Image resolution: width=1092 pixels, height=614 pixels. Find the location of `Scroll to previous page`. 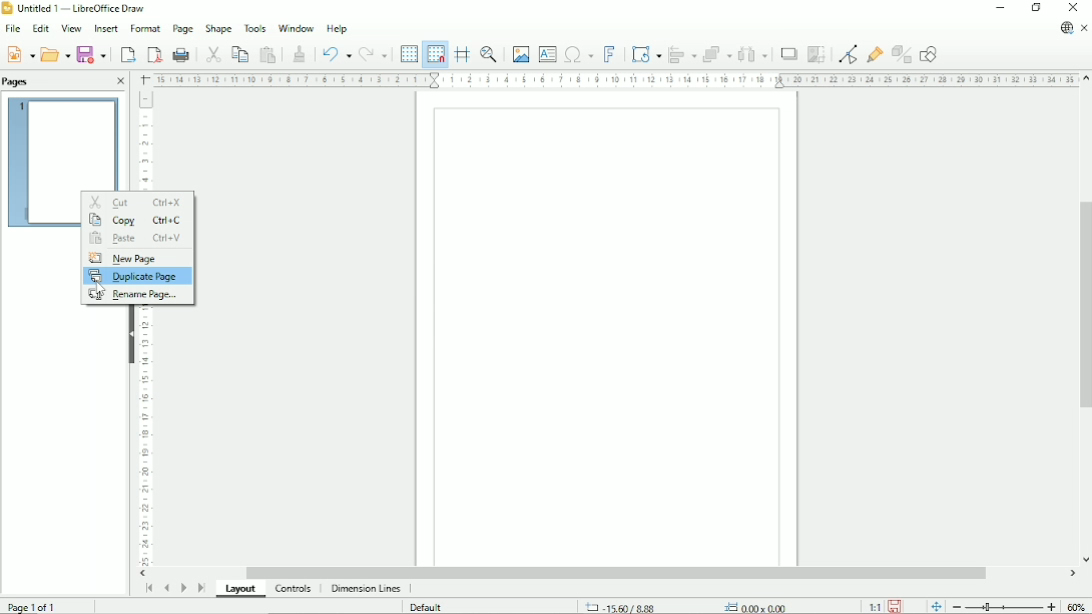

Scroll to previous page is located at coordinates (166, 588).